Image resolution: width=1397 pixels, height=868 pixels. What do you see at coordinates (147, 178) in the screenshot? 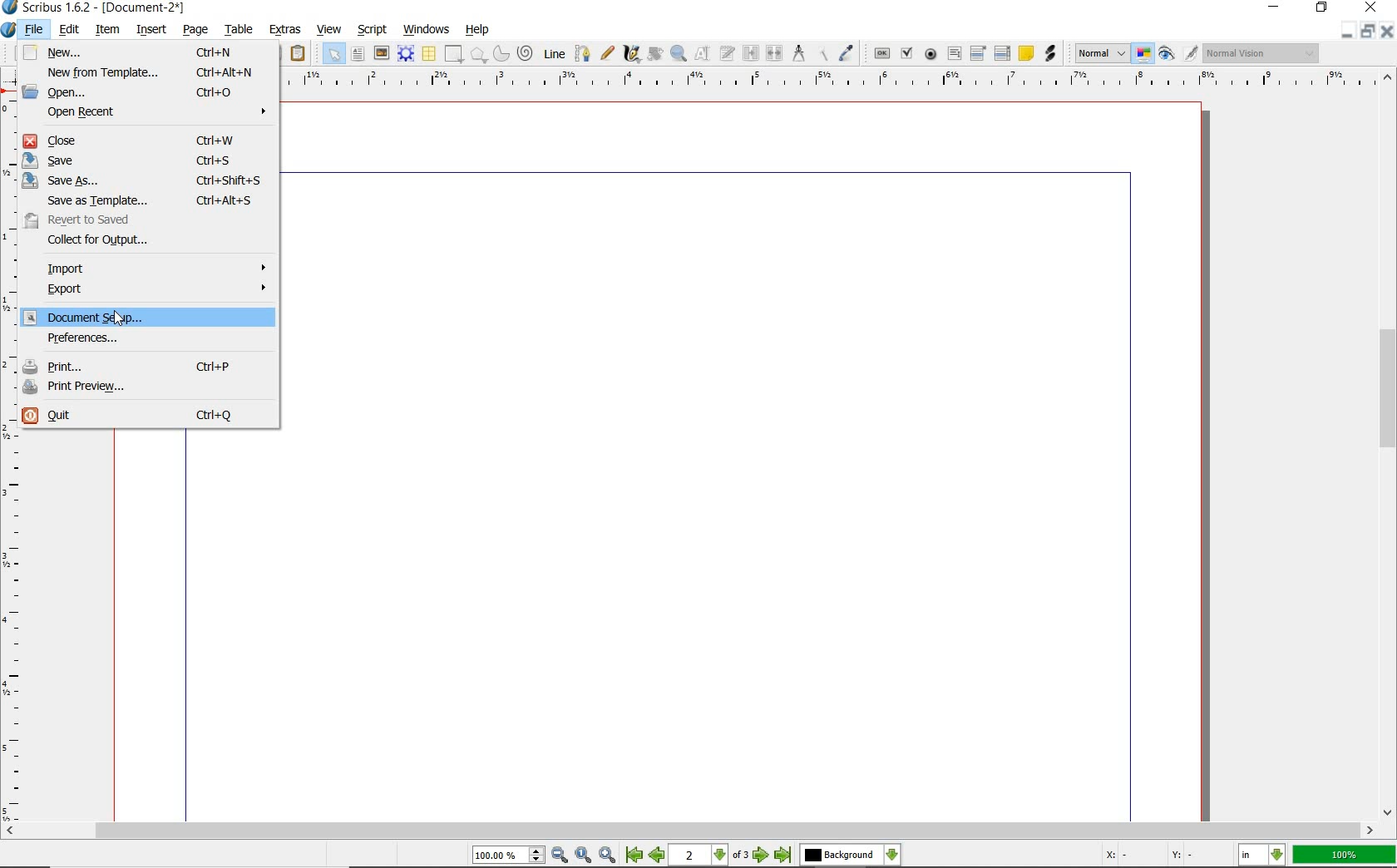
I see `save us` at bounding box center [147, 178].